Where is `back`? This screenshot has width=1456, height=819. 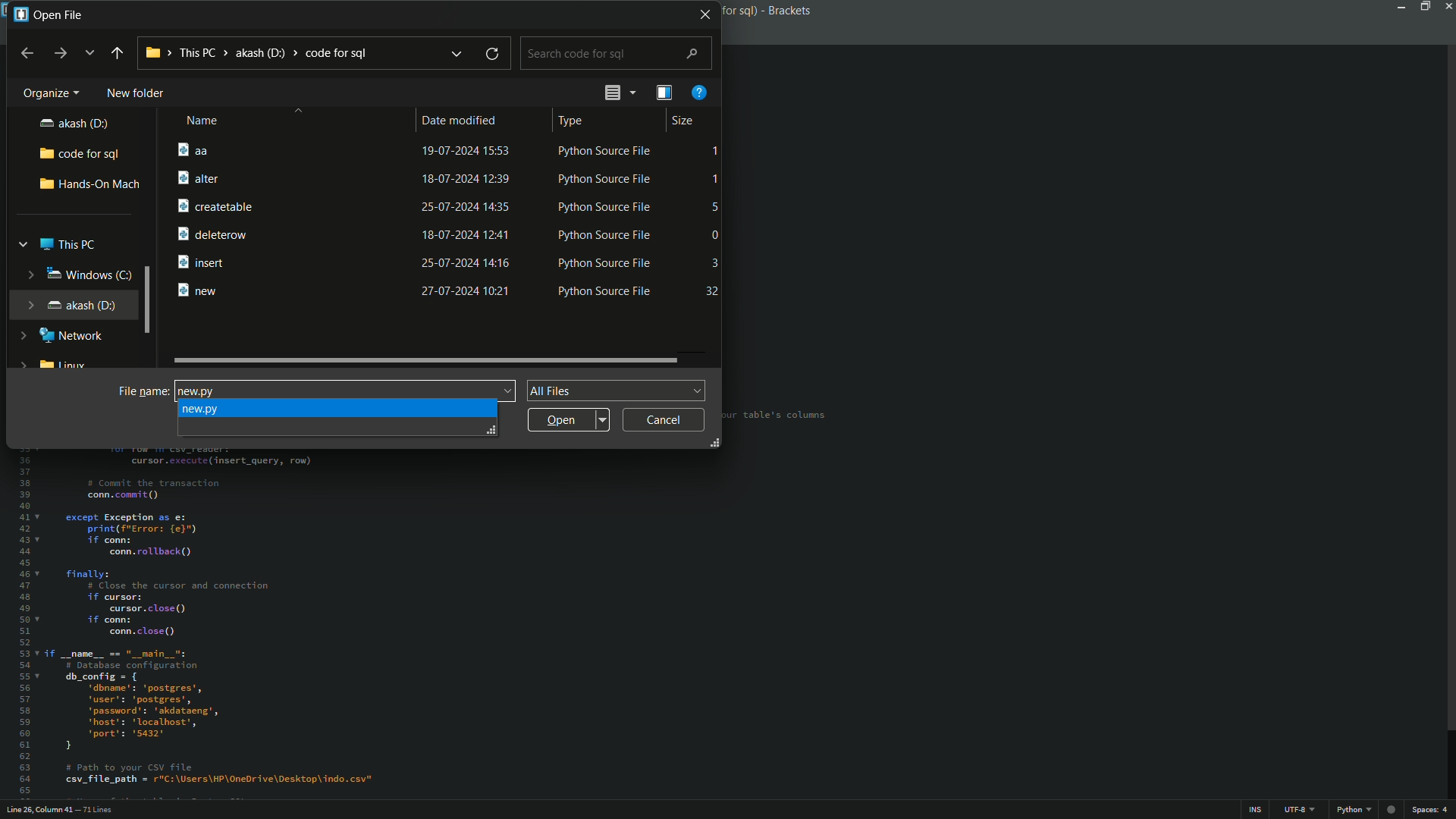 back is located at coordinates (116, 52).